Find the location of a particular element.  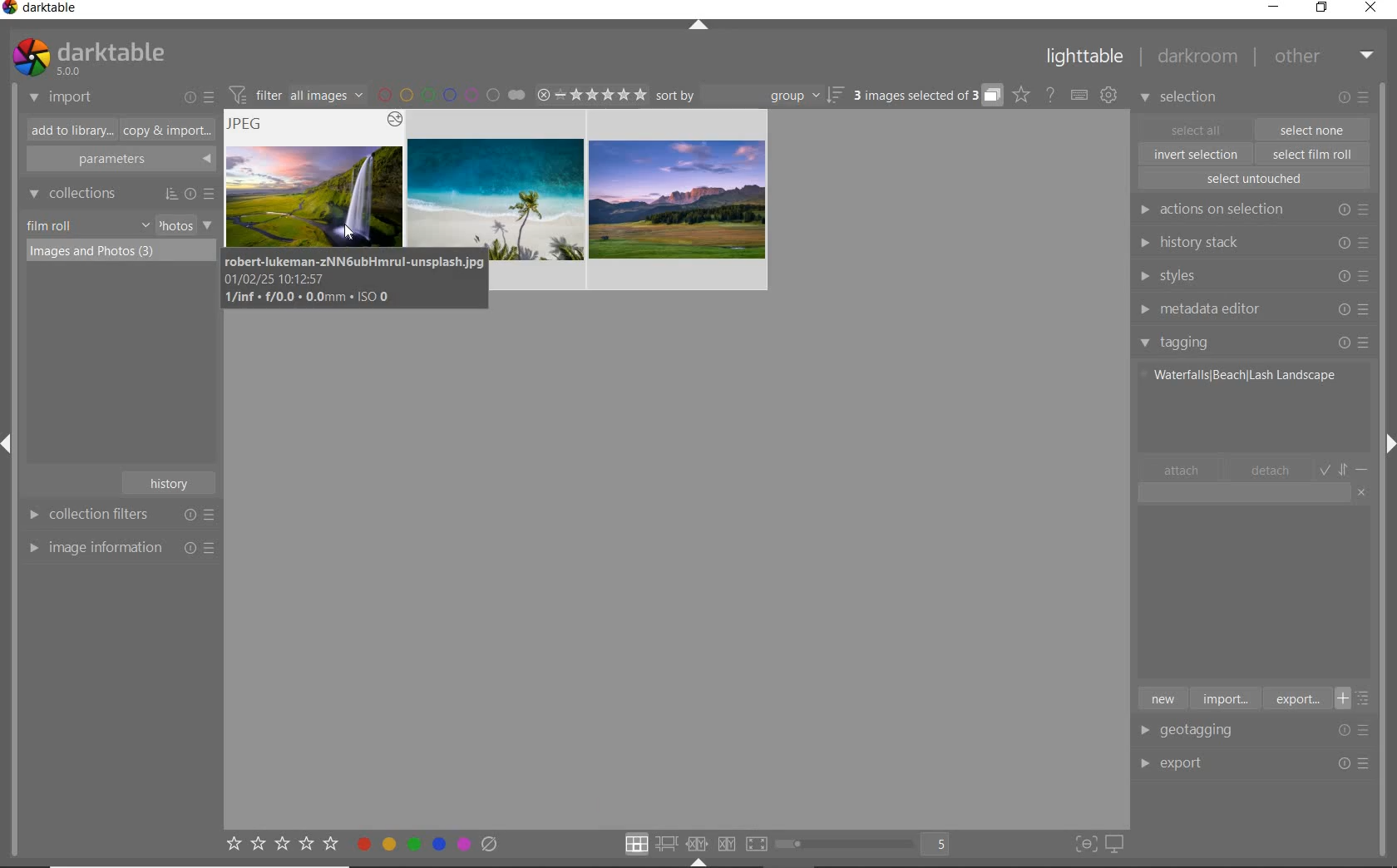

actions on selection is located at coordinates (1251, 210).